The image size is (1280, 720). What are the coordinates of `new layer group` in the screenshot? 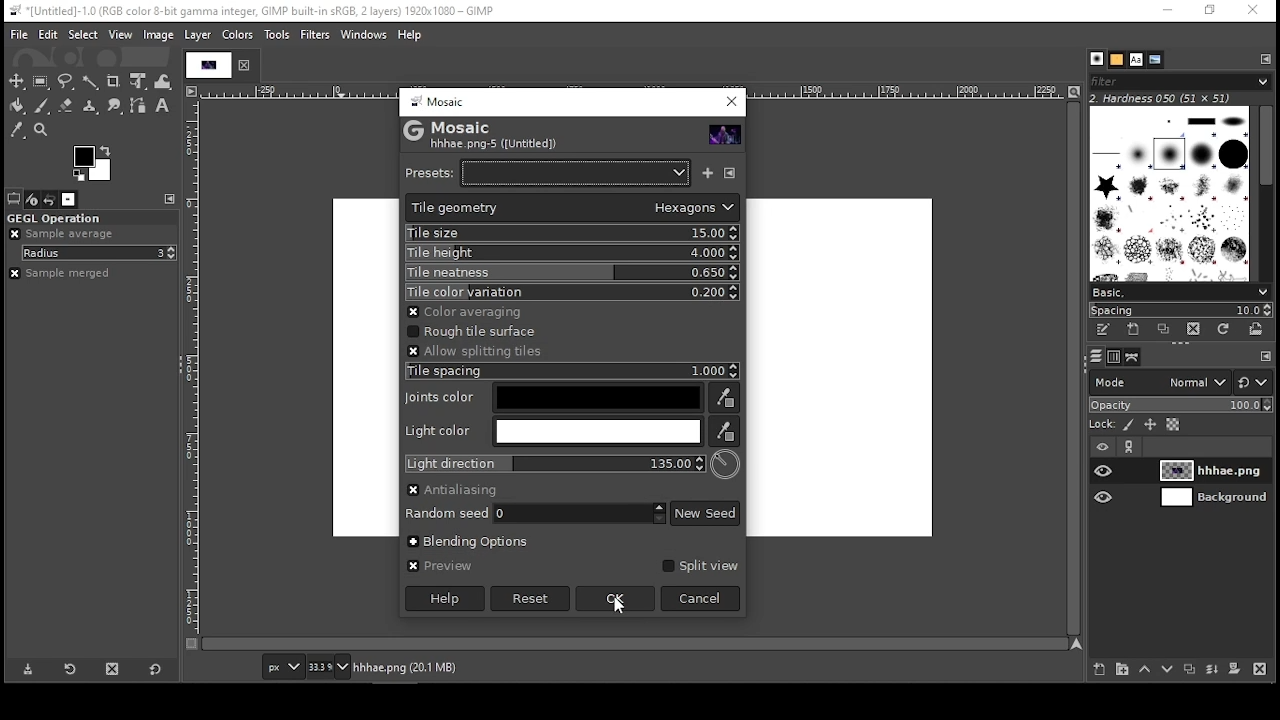 It's located at (1124, 669).